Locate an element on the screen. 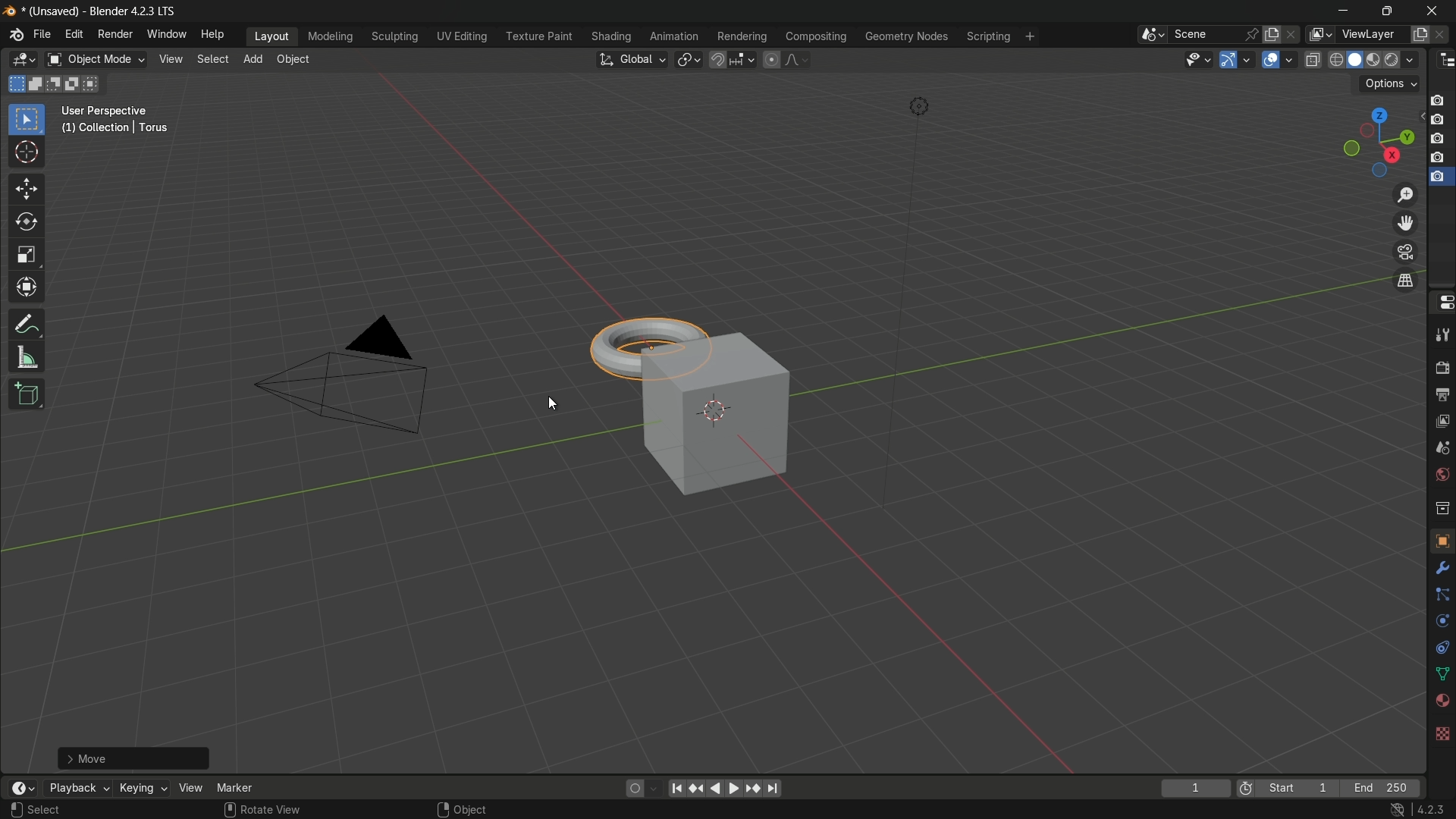 The height and width of the screenshot is (819, 1456). add scene is located at coordinates (1272, 35).